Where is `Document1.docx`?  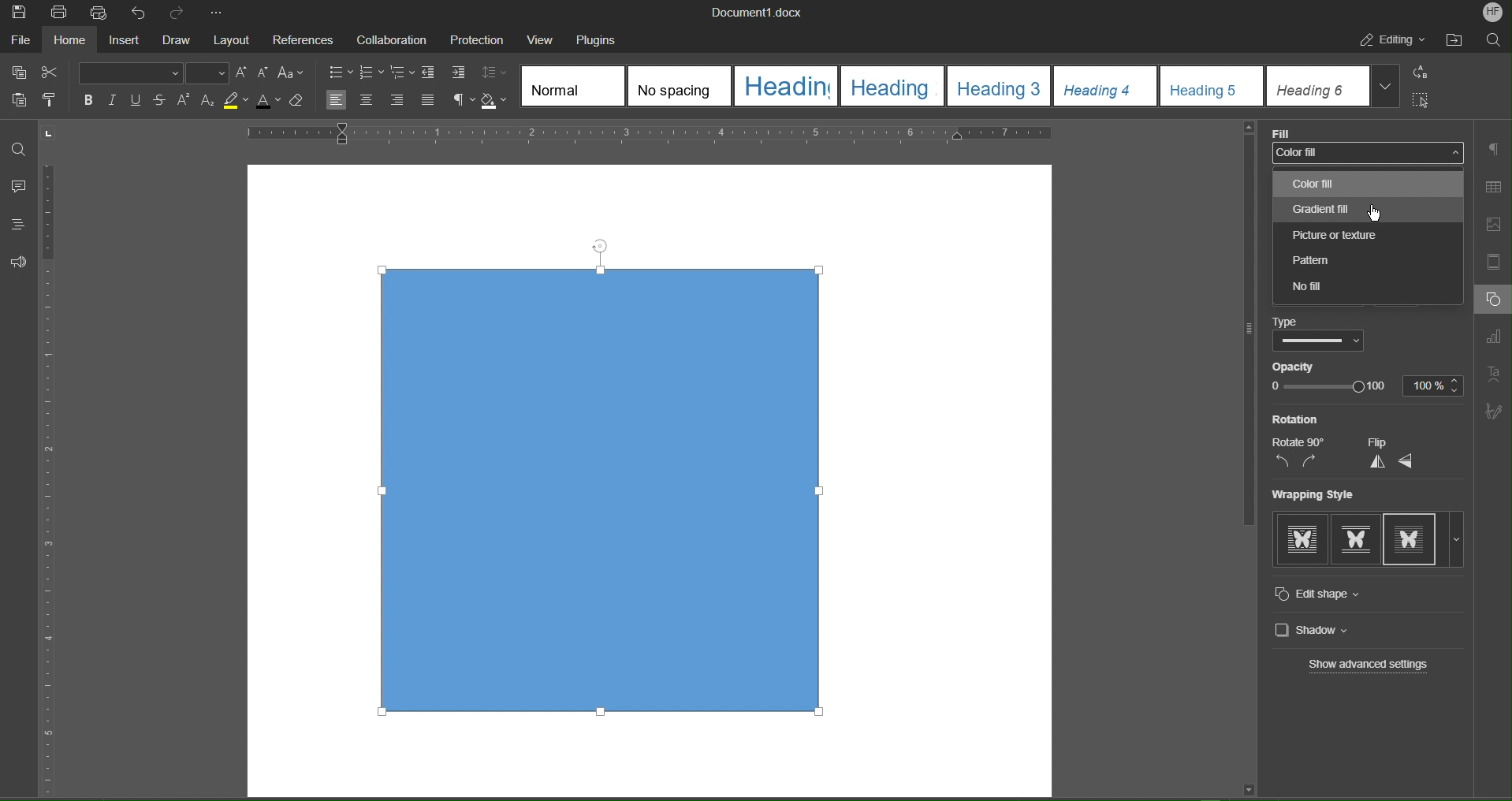 Document1.docx is located at coordinates (767, 13).